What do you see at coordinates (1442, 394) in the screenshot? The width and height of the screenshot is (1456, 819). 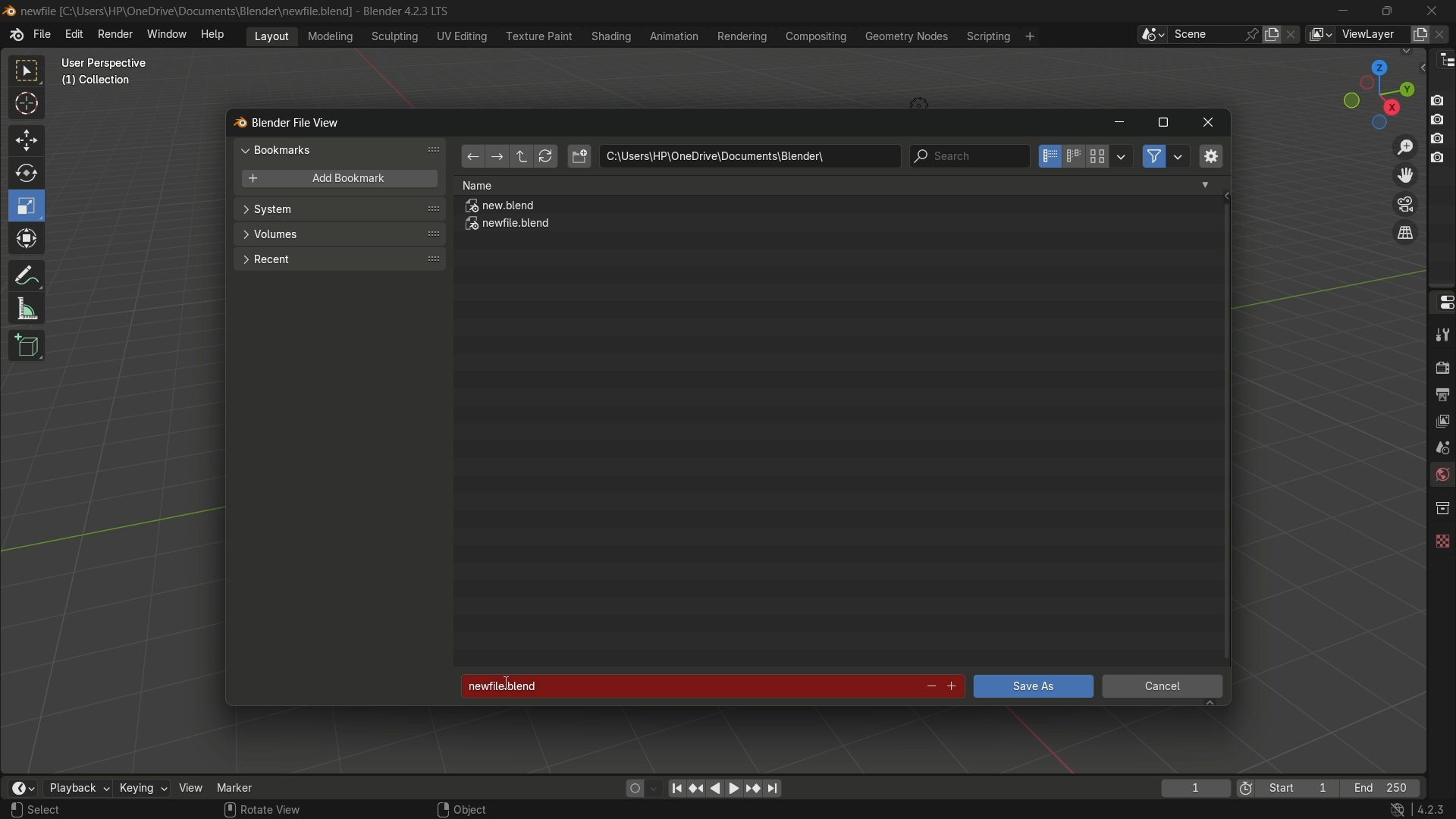 I see `output` at bounding box center [1442, 394].